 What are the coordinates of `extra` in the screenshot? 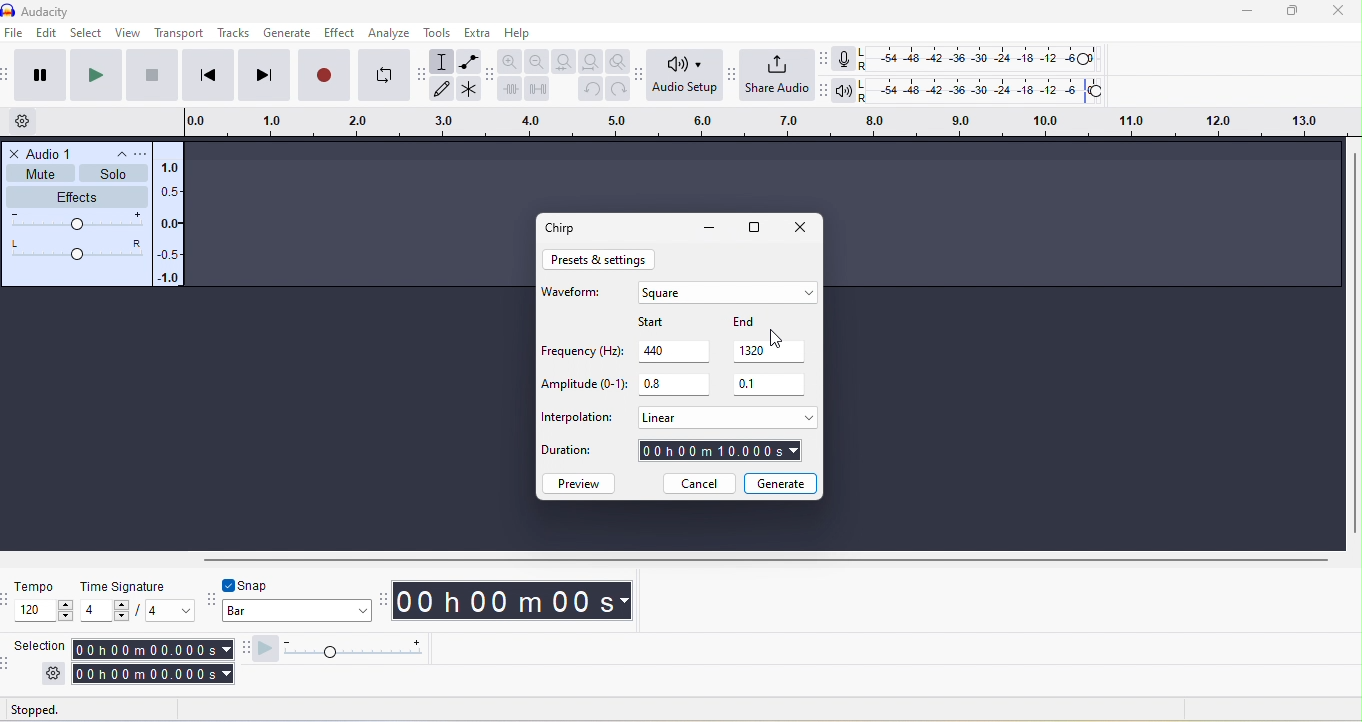 It's located at (476, 32).